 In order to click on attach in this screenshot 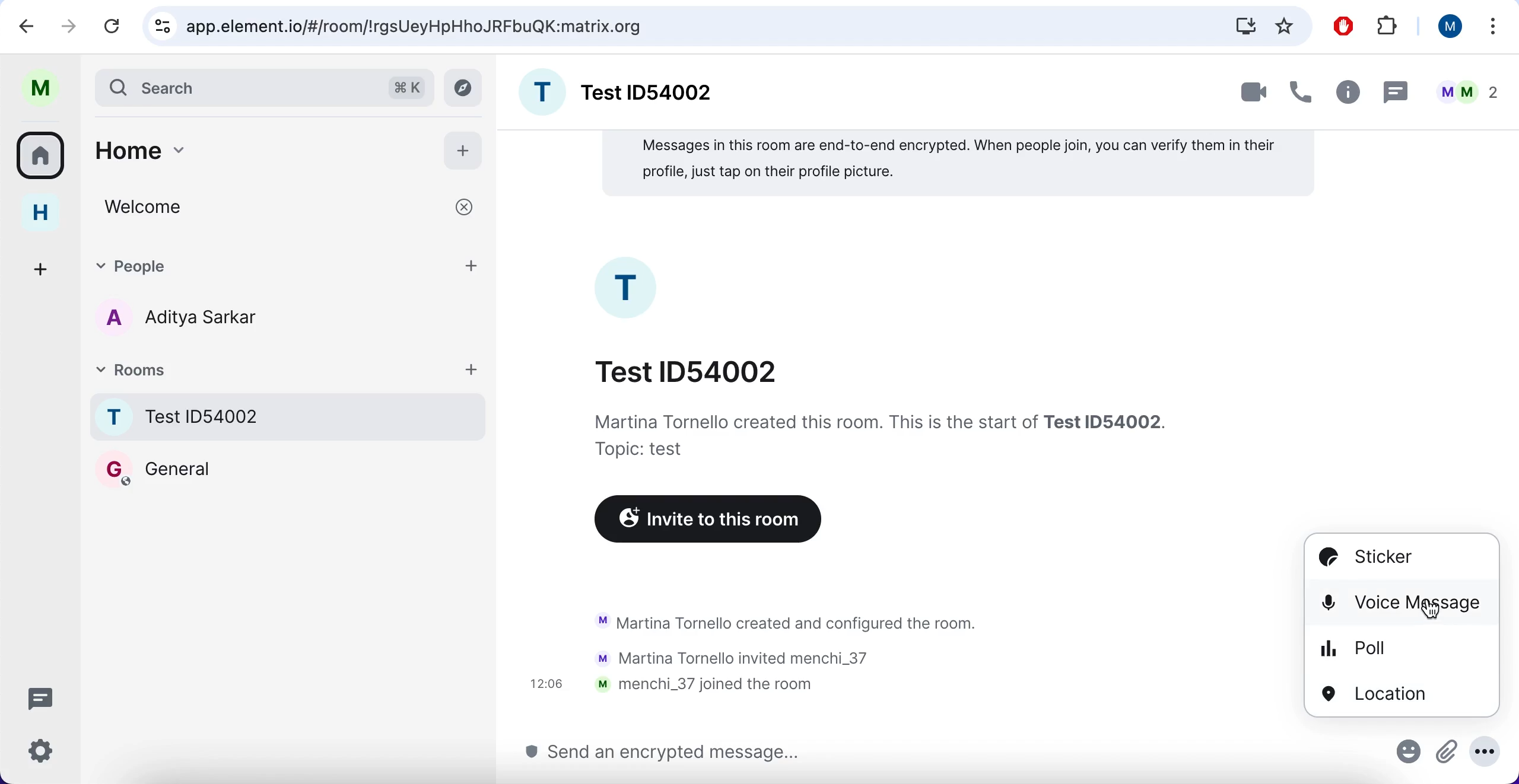, I will do `click(1446, 756)`.